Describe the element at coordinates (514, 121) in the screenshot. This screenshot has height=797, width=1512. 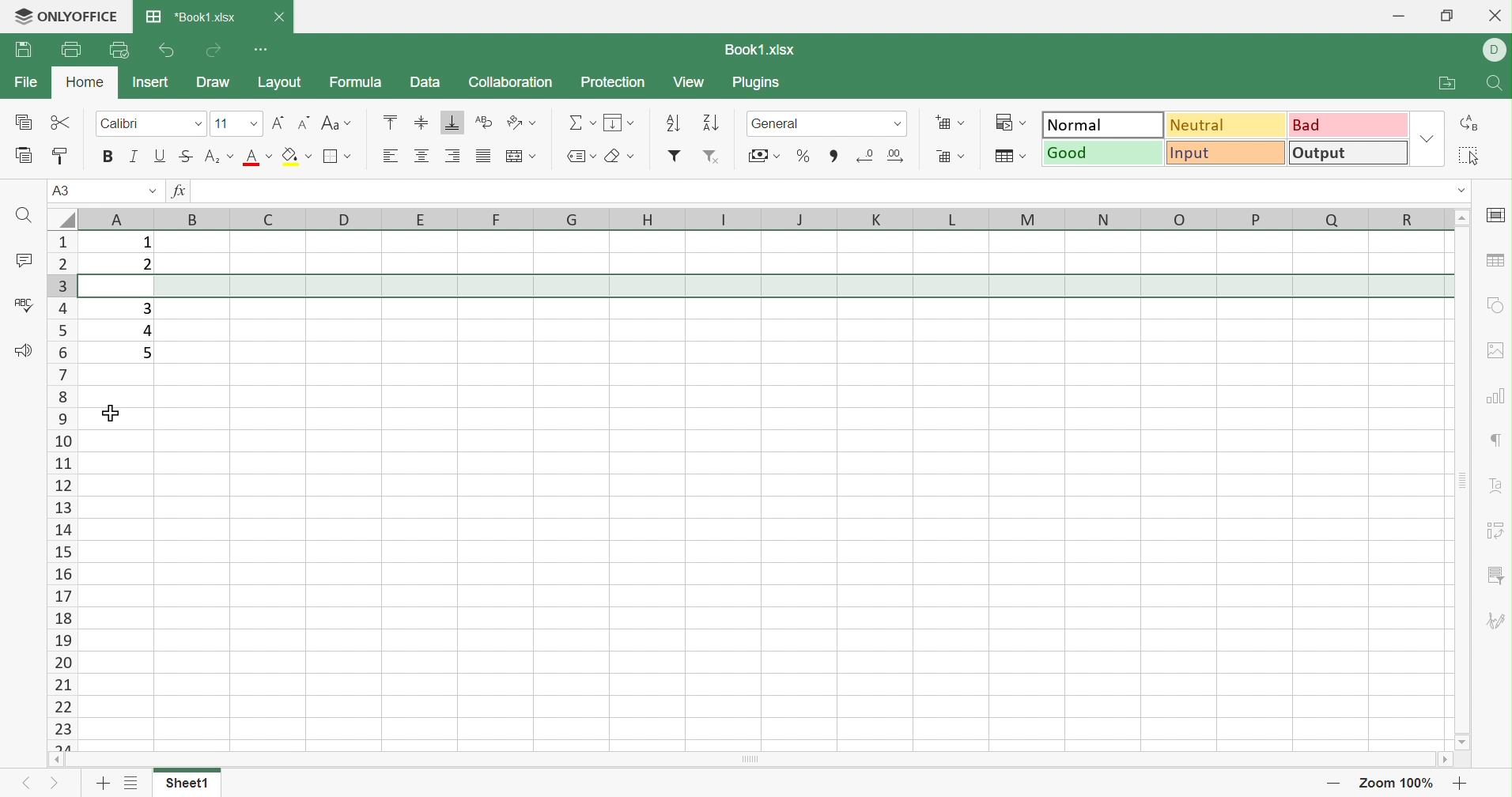
I see `Orientation` at that location.